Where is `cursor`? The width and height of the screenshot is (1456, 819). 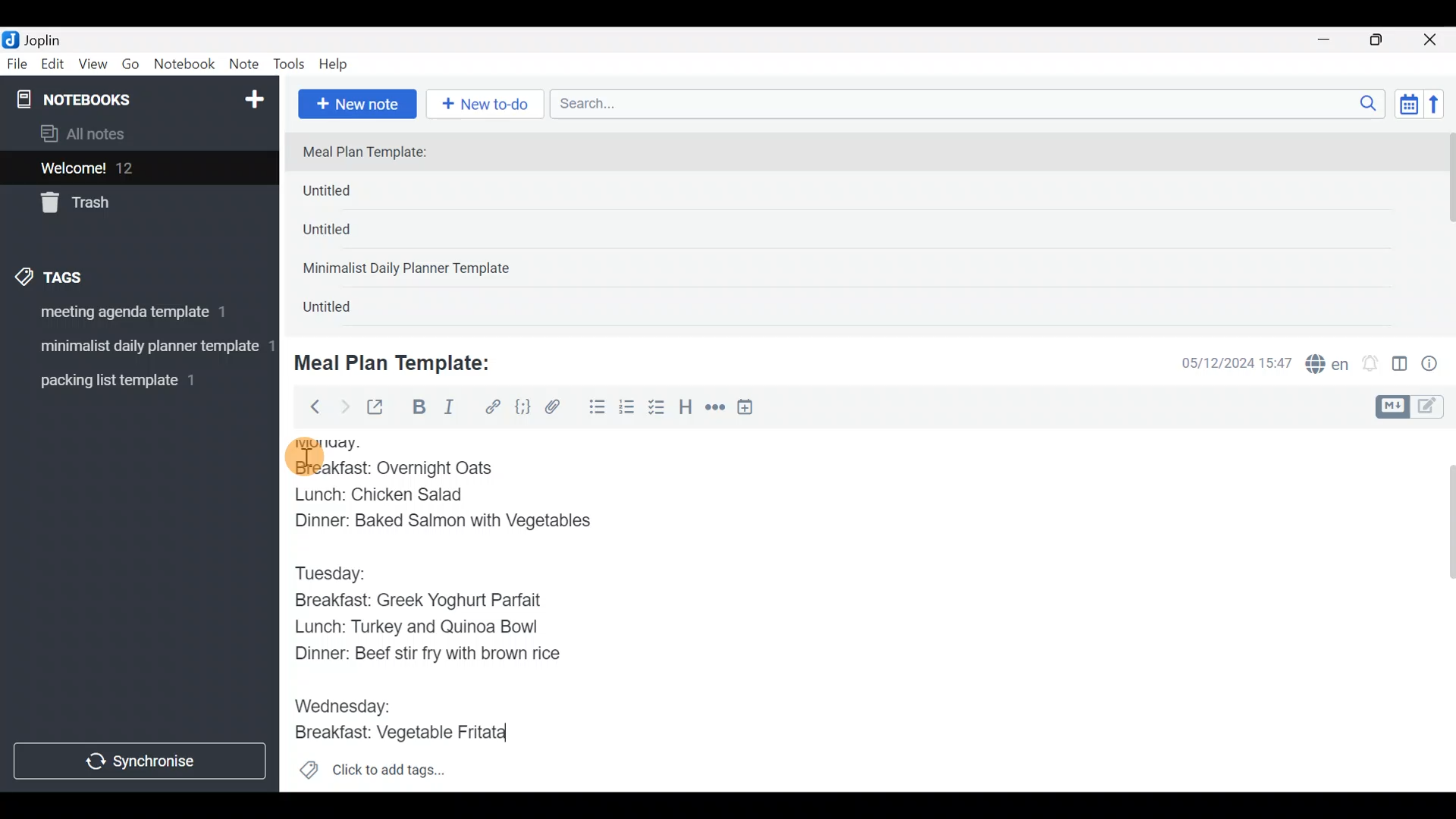
cursor is located at coordinates (303, 456).